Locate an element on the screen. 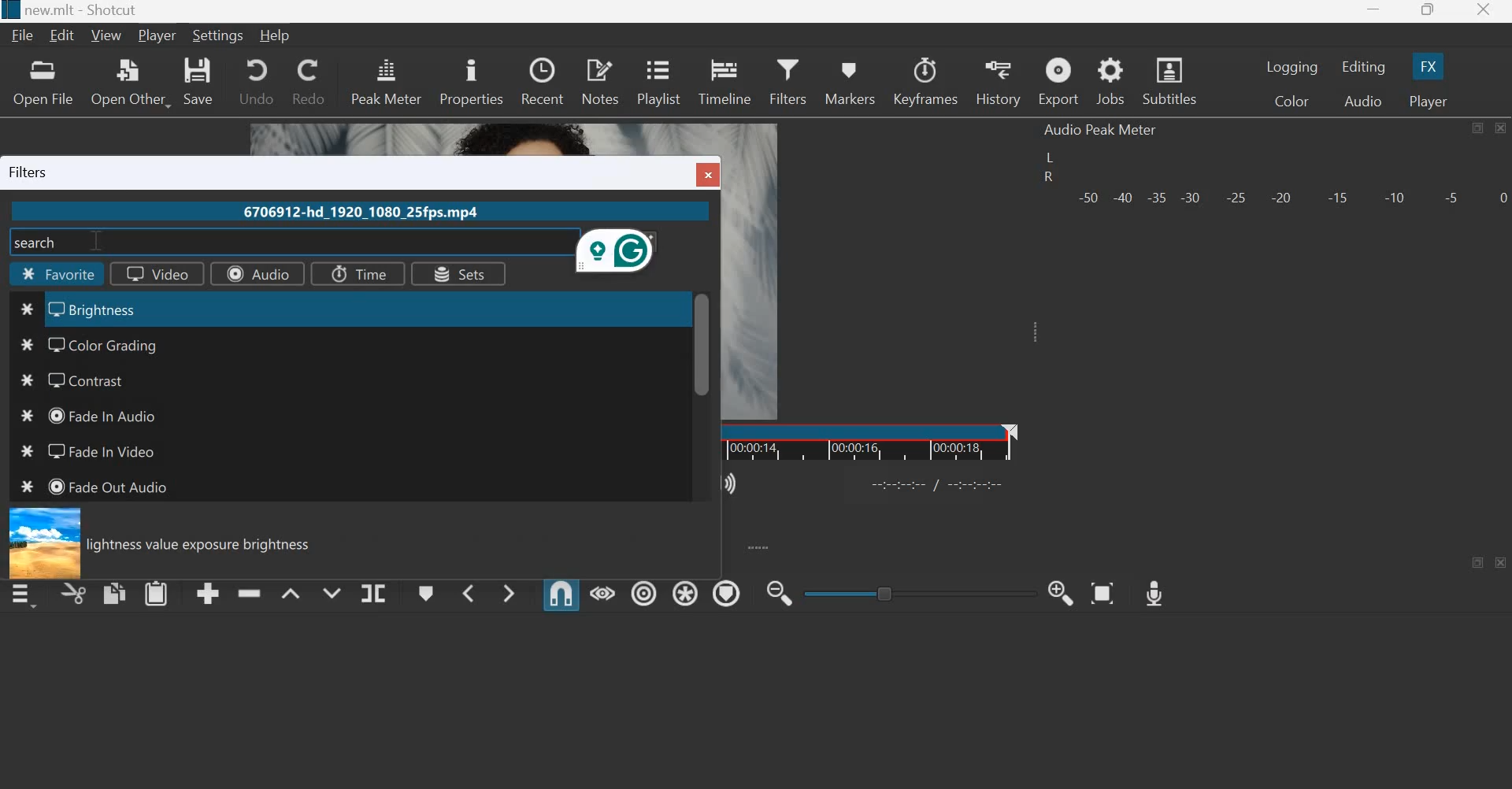 This screenshot has height=789, width=1512. Settings is located at coordinates (219, 35).